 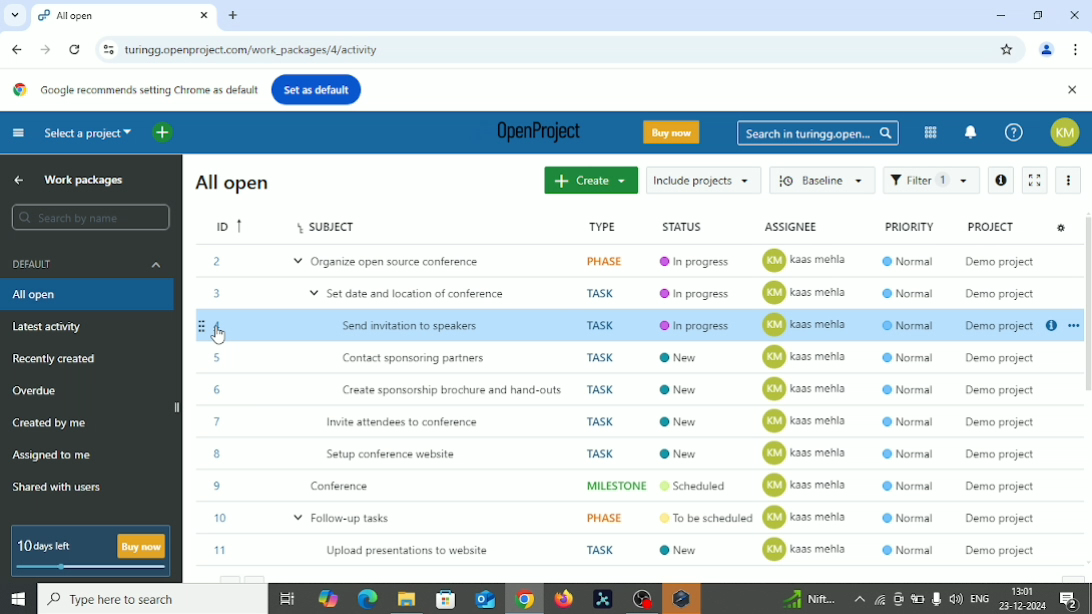 What do you see at coordinates (858, 599) in the screenshot?
I see `More` at bounding box center [858, 599].